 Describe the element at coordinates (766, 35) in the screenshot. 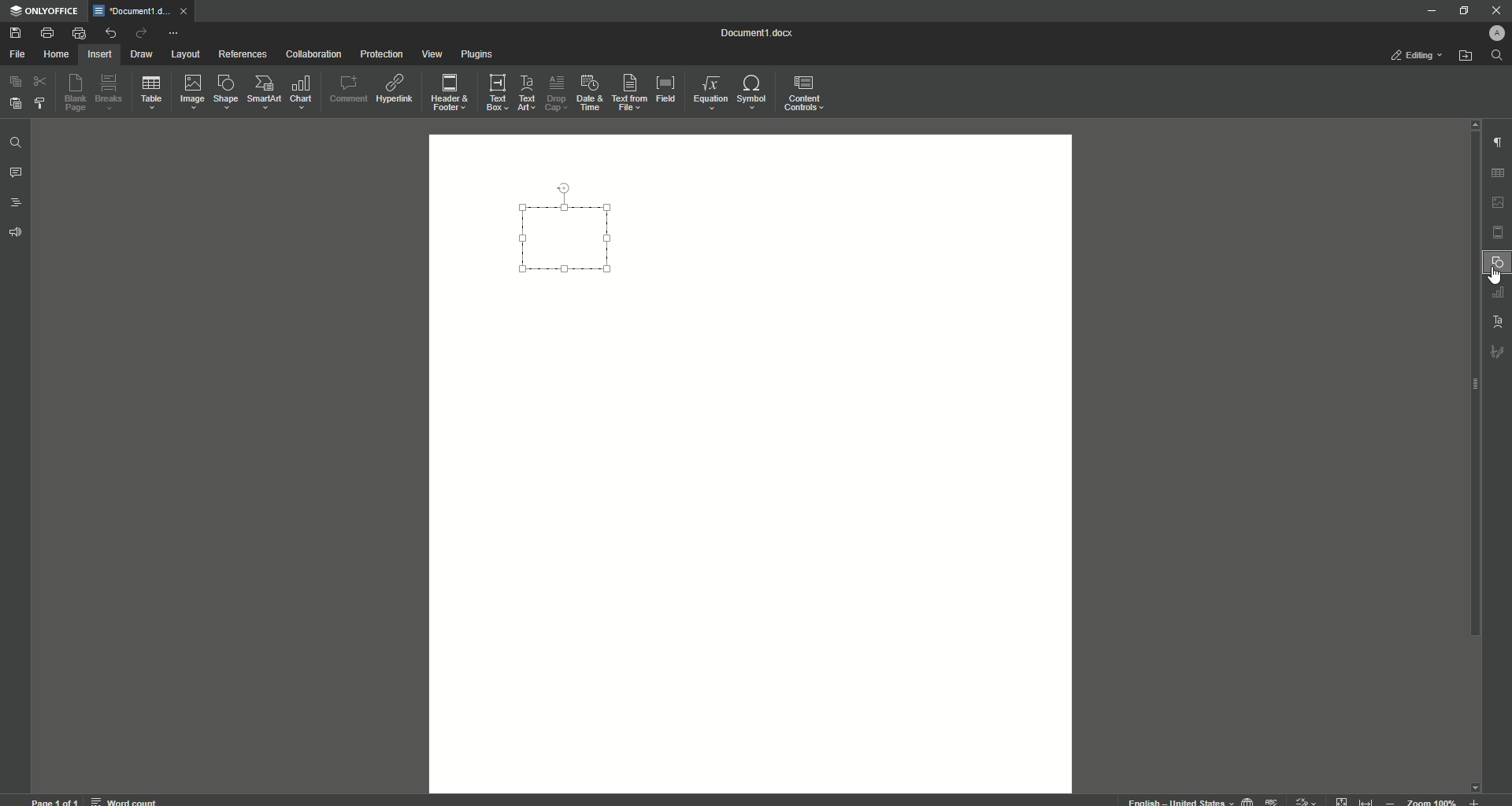

I see `Document 1` at that location.